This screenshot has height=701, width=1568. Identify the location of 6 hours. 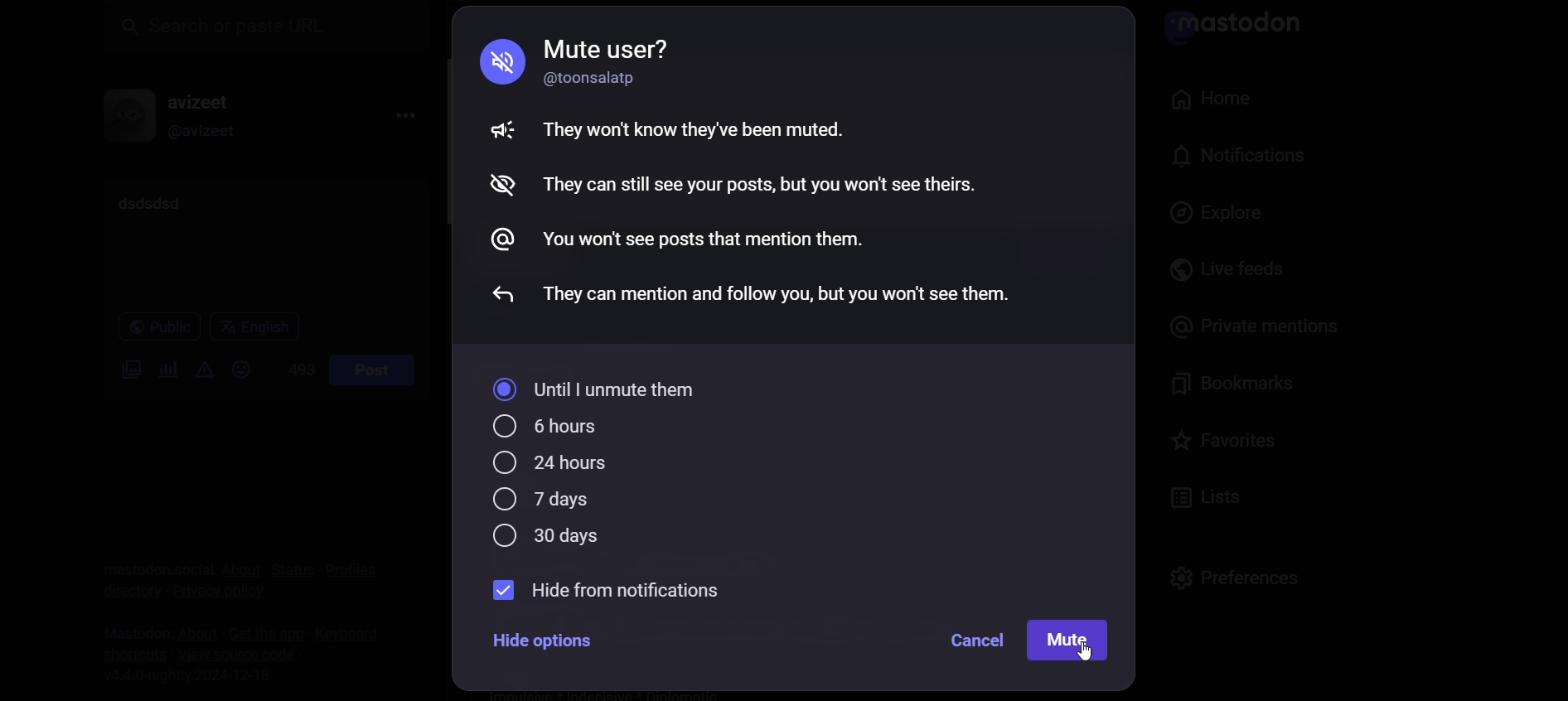
(541, 427).